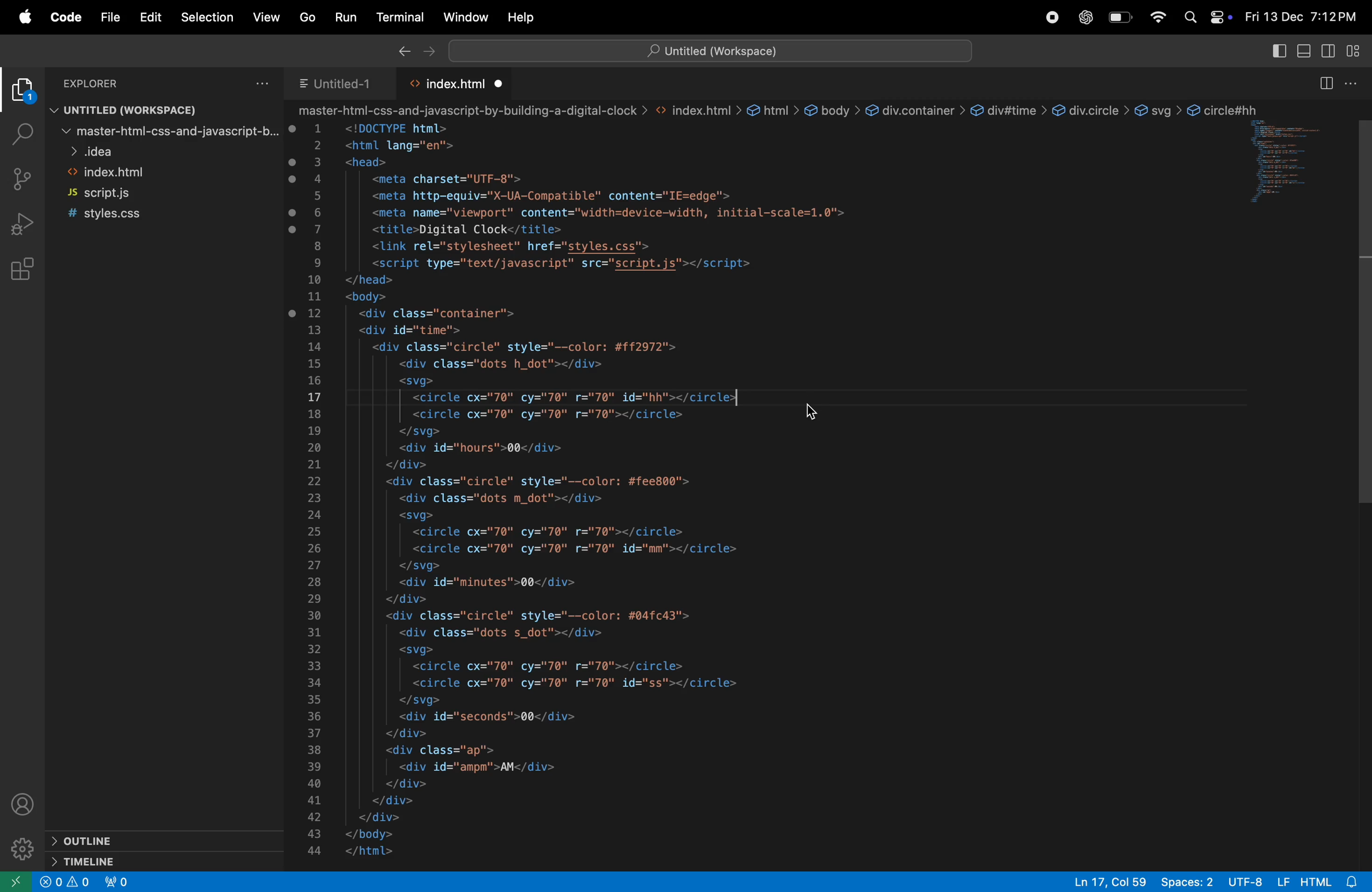 Image resolution: width=1372 pixels, height=892 pixels. I want to click on no ports forwarded, so click(119, 882).